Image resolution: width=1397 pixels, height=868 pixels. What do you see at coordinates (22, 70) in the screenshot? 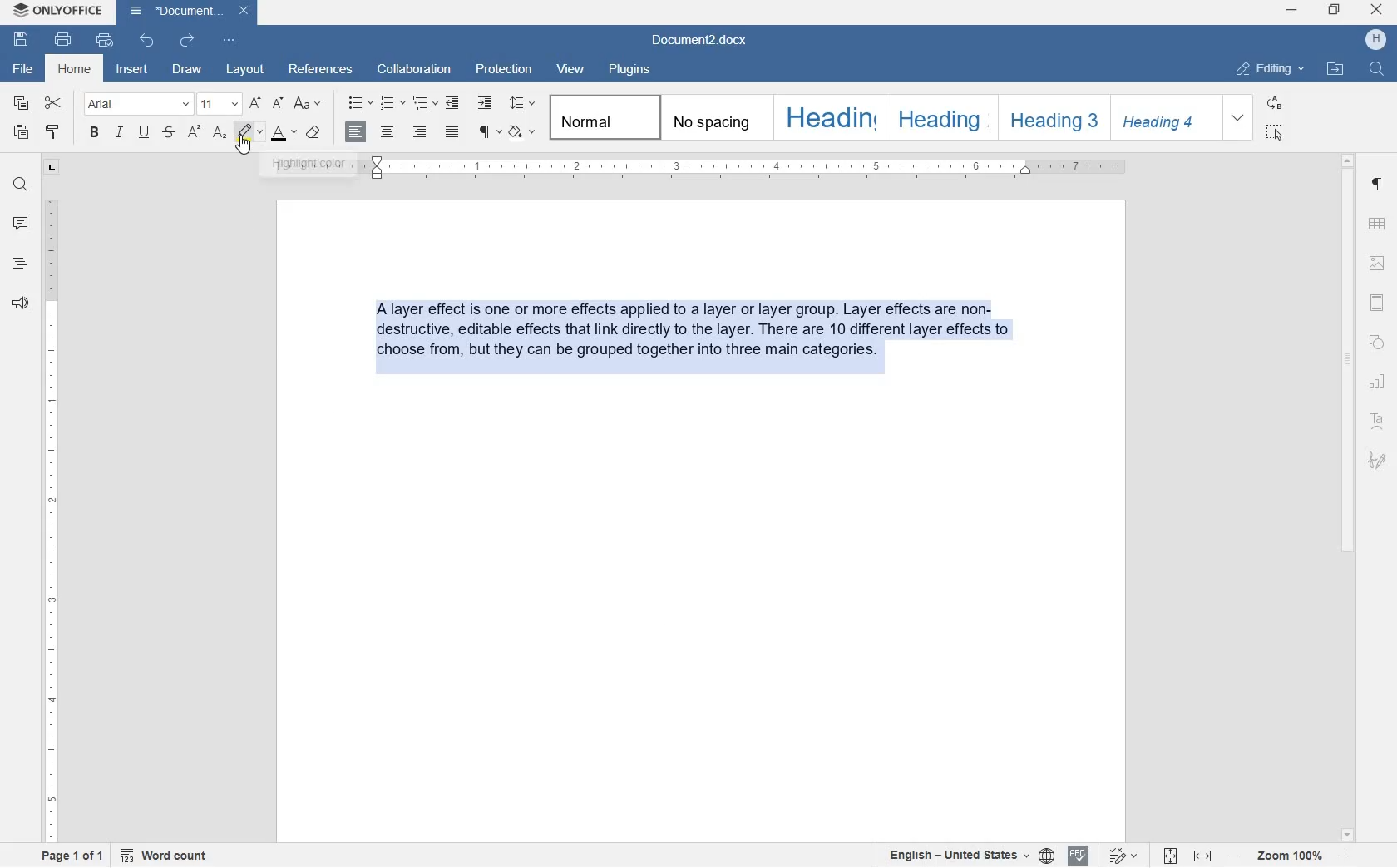
I see `FILE NAME` at bounding box center [22, 70].